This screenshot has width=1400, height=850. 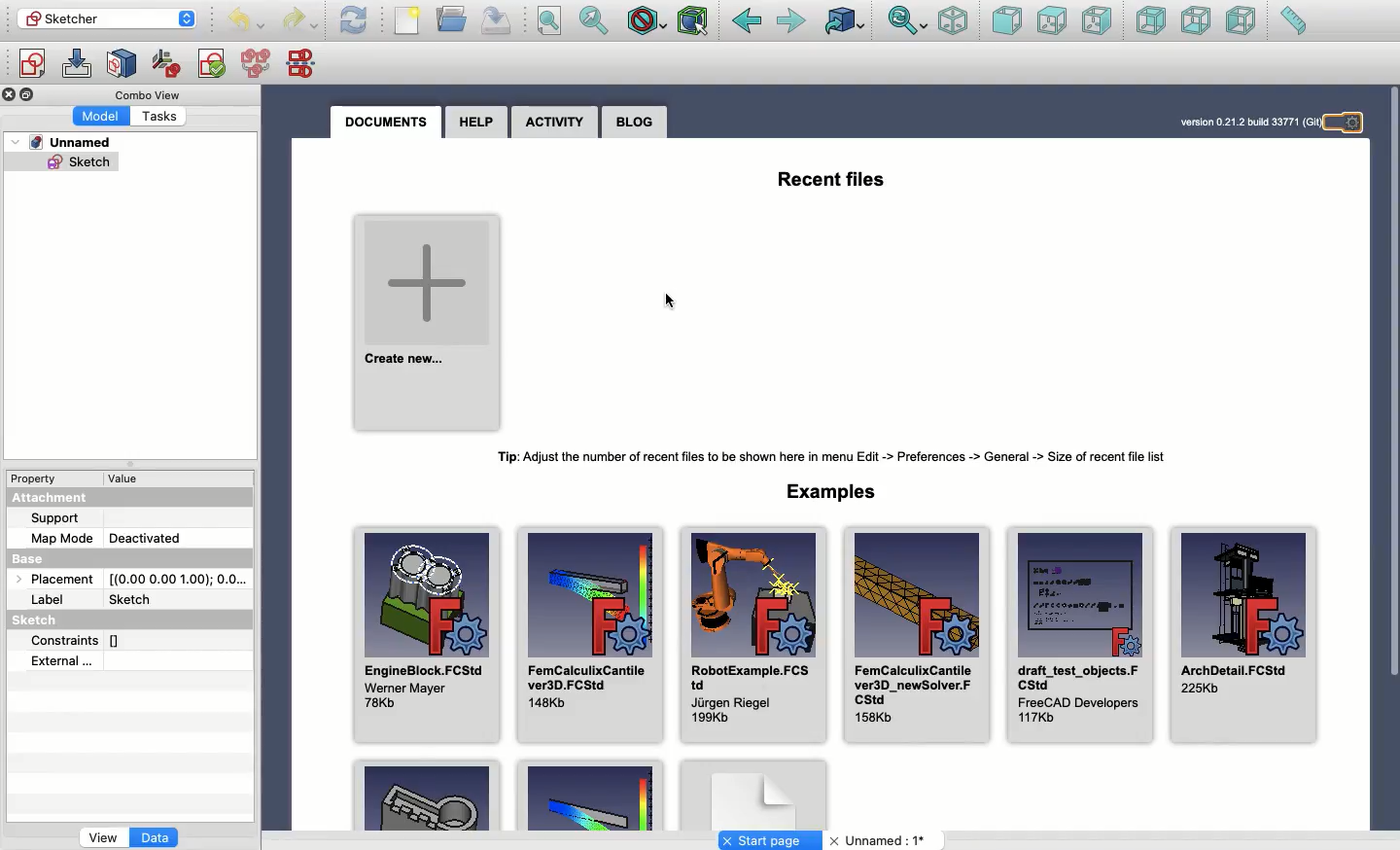 I want to click on Activity , so click(x=556, y=123).